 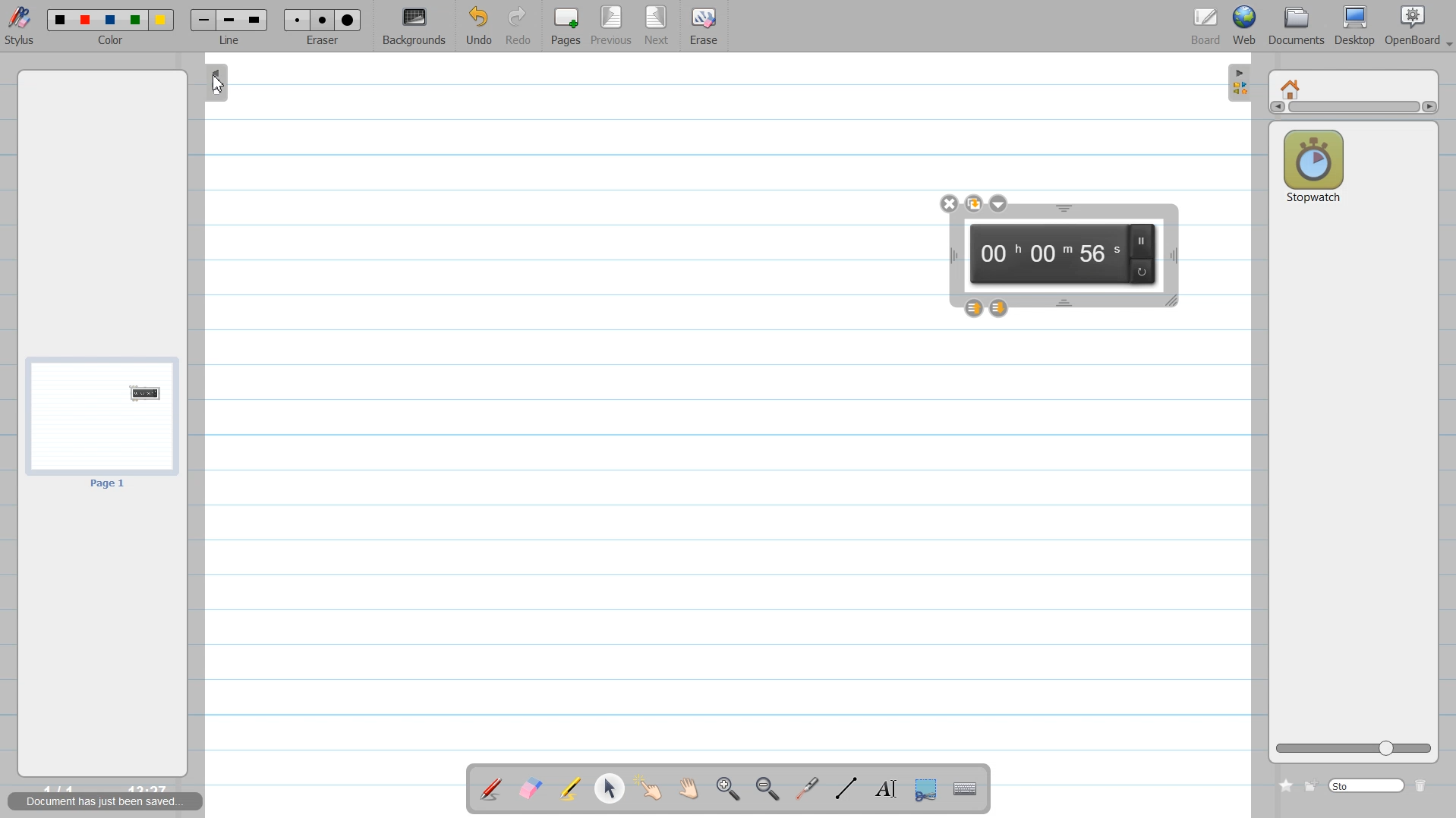 I want to click on Home window, so click(x=1292, y=87).